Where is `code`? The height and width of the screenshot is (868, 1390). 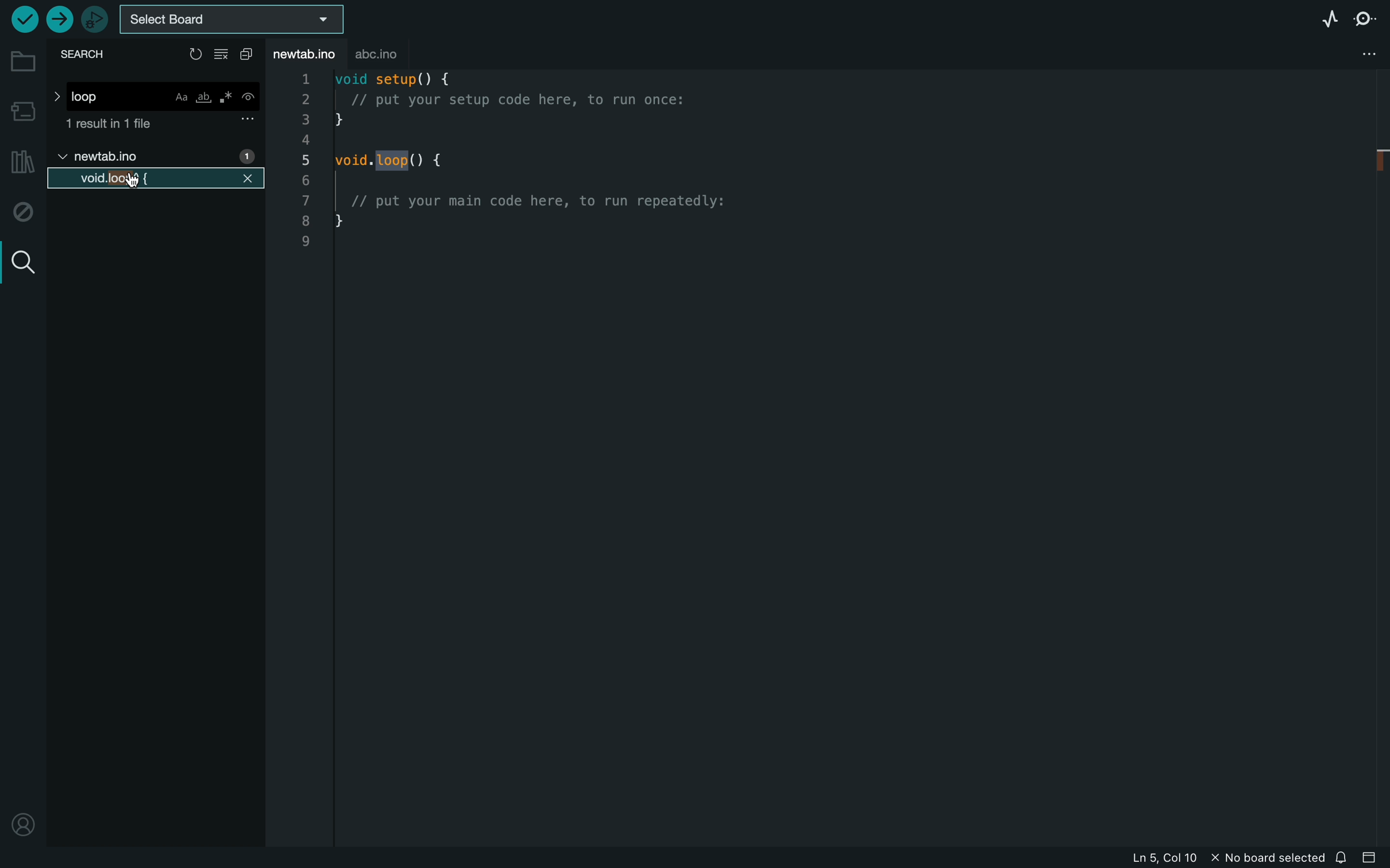 code is located at coordinates (539, 164).